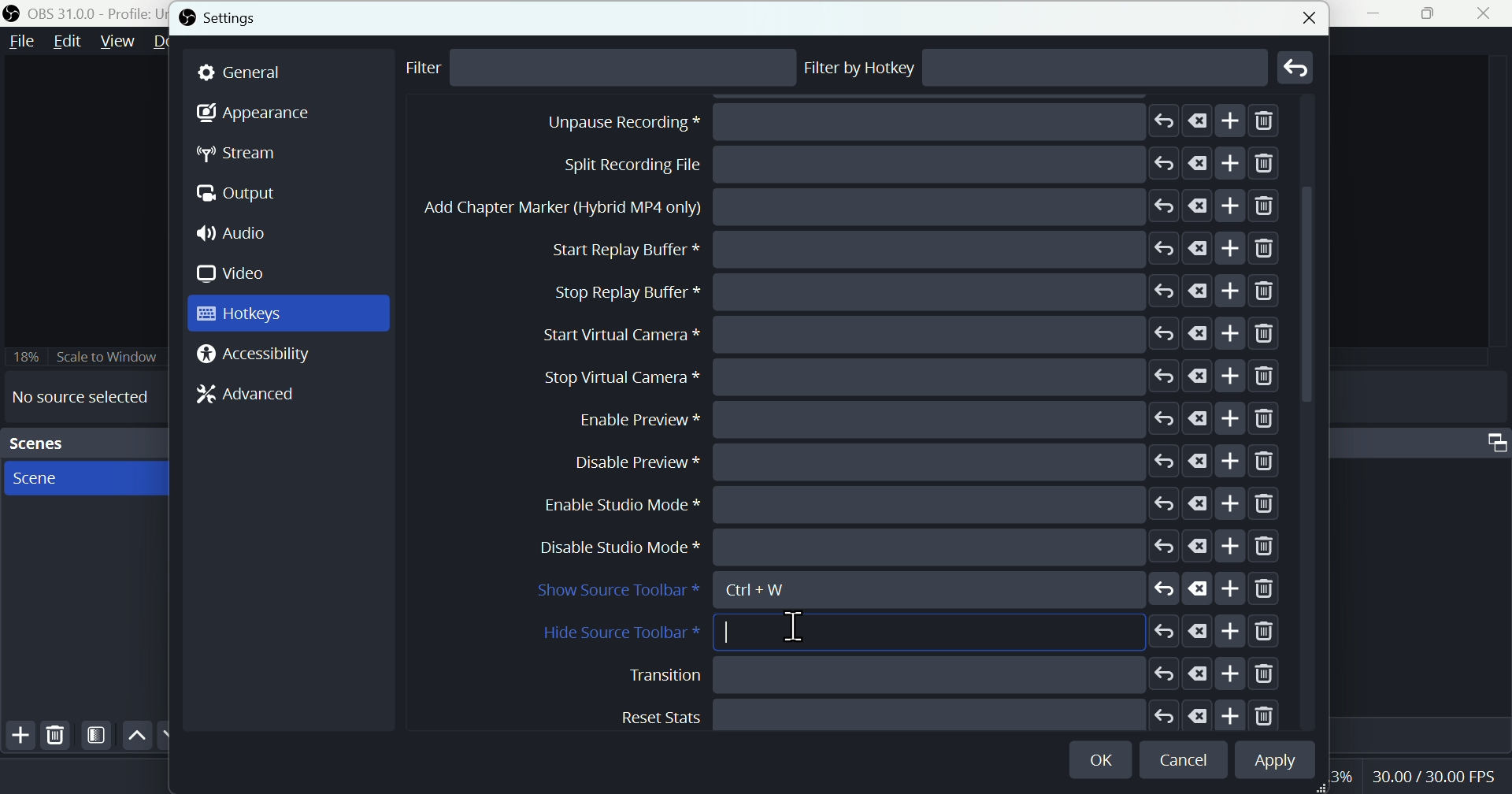 This screenshot has height=794, width=1512. What do you see at coordinates (916, 462) in the screenshot?
I see `Stop Replay Buffer` at bounding box center [916, 462].